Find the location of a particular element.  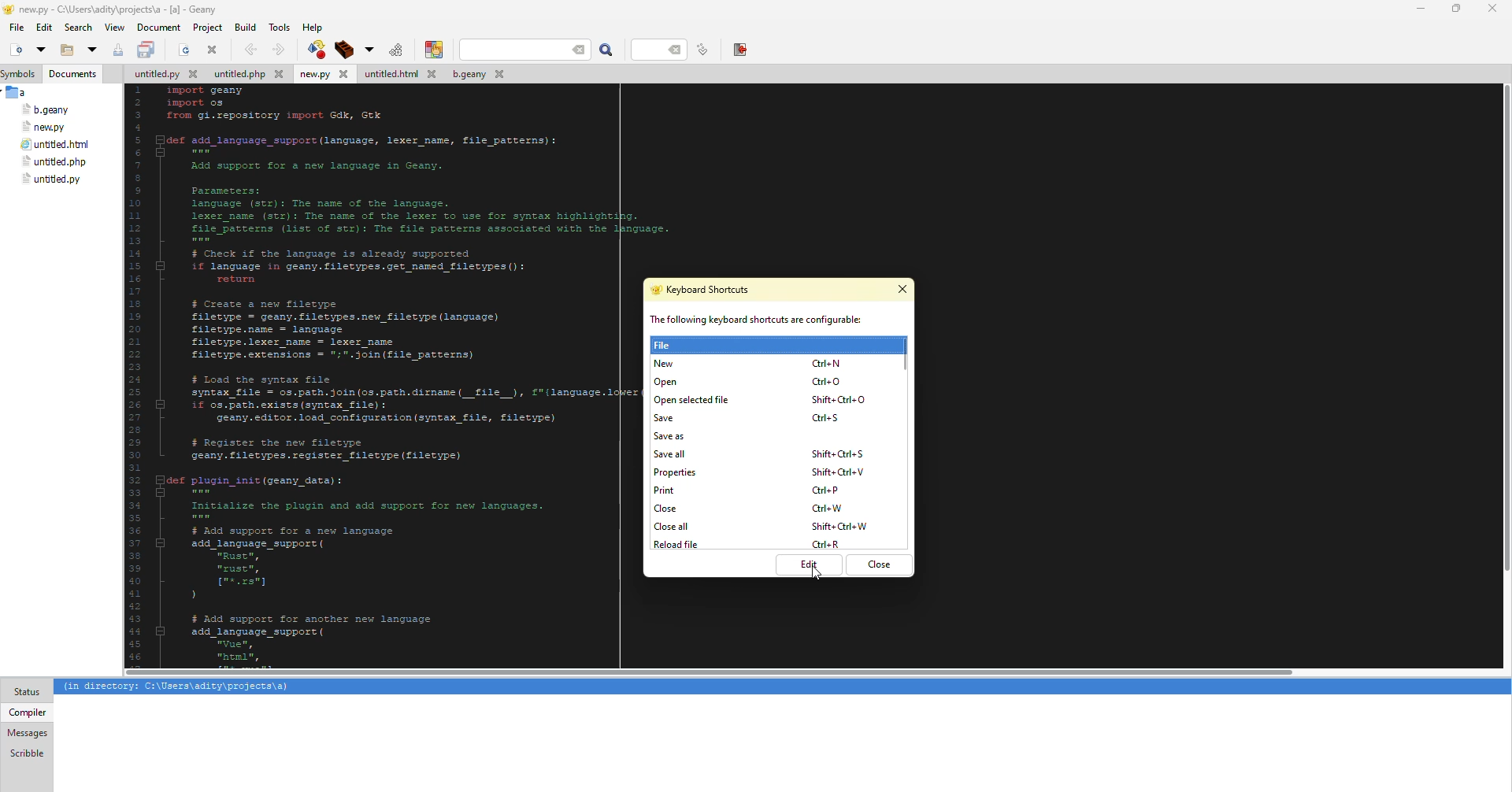

new is located at coordinates (662, 365).